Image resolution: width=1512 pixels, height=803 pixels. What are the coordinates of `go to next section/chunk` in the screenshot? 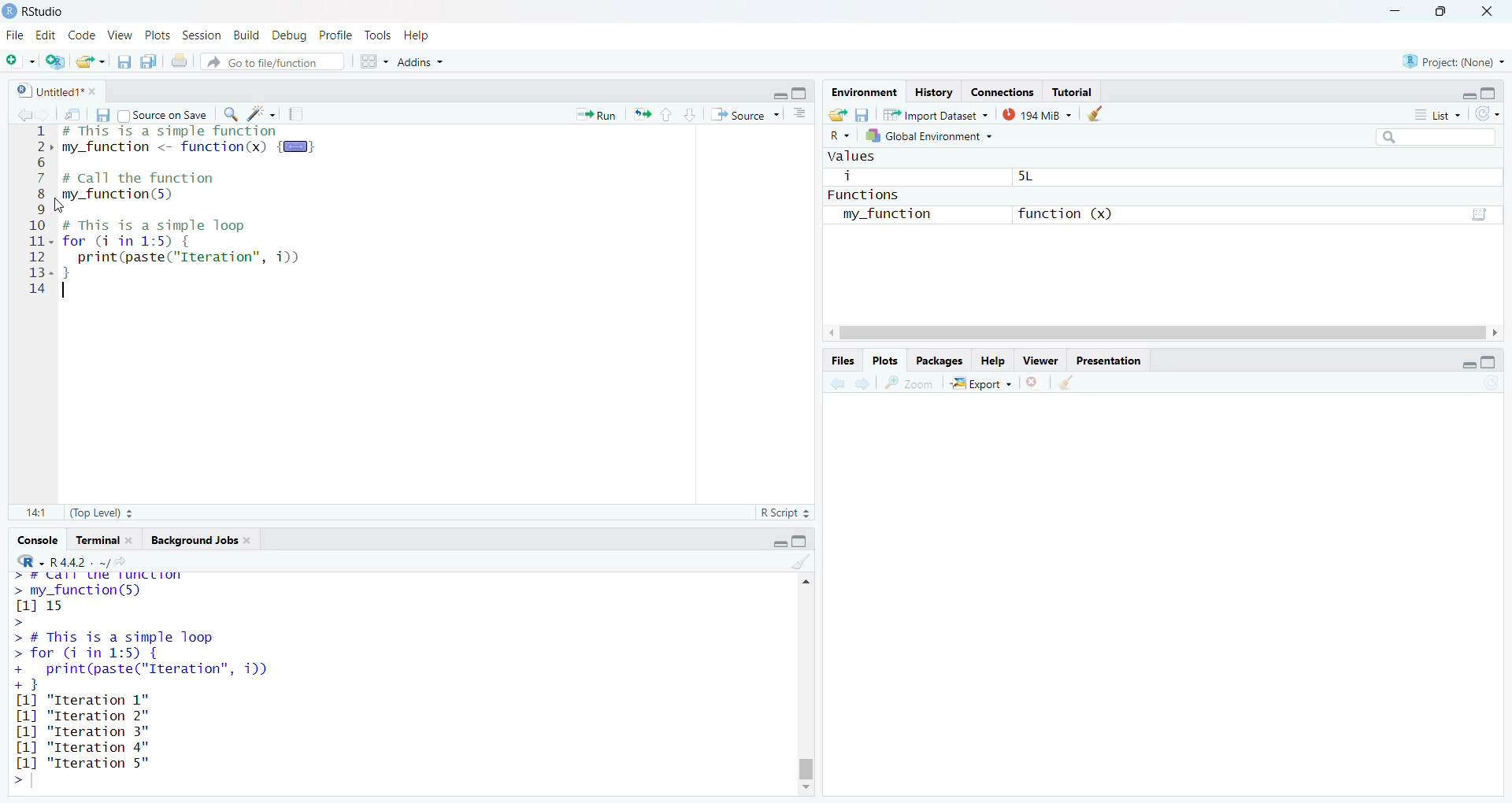 It's located at (691, 114).